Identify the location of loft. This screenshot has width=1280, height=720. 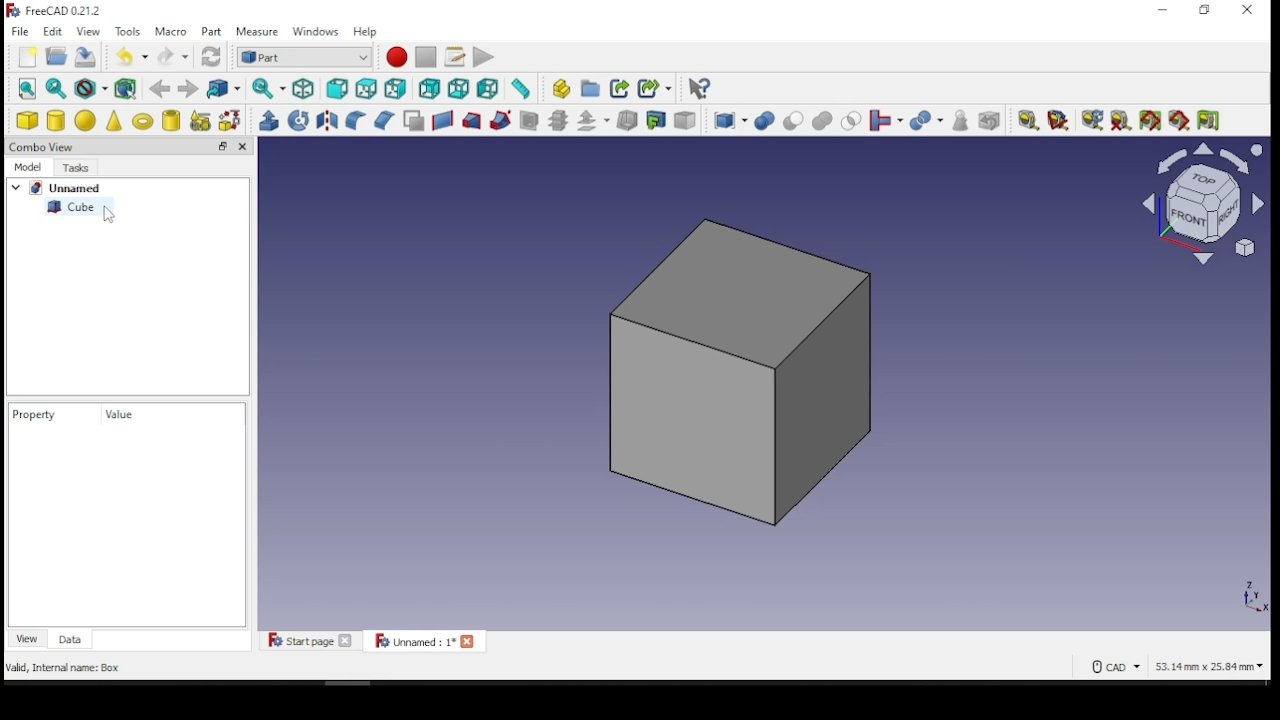
(472, 122).